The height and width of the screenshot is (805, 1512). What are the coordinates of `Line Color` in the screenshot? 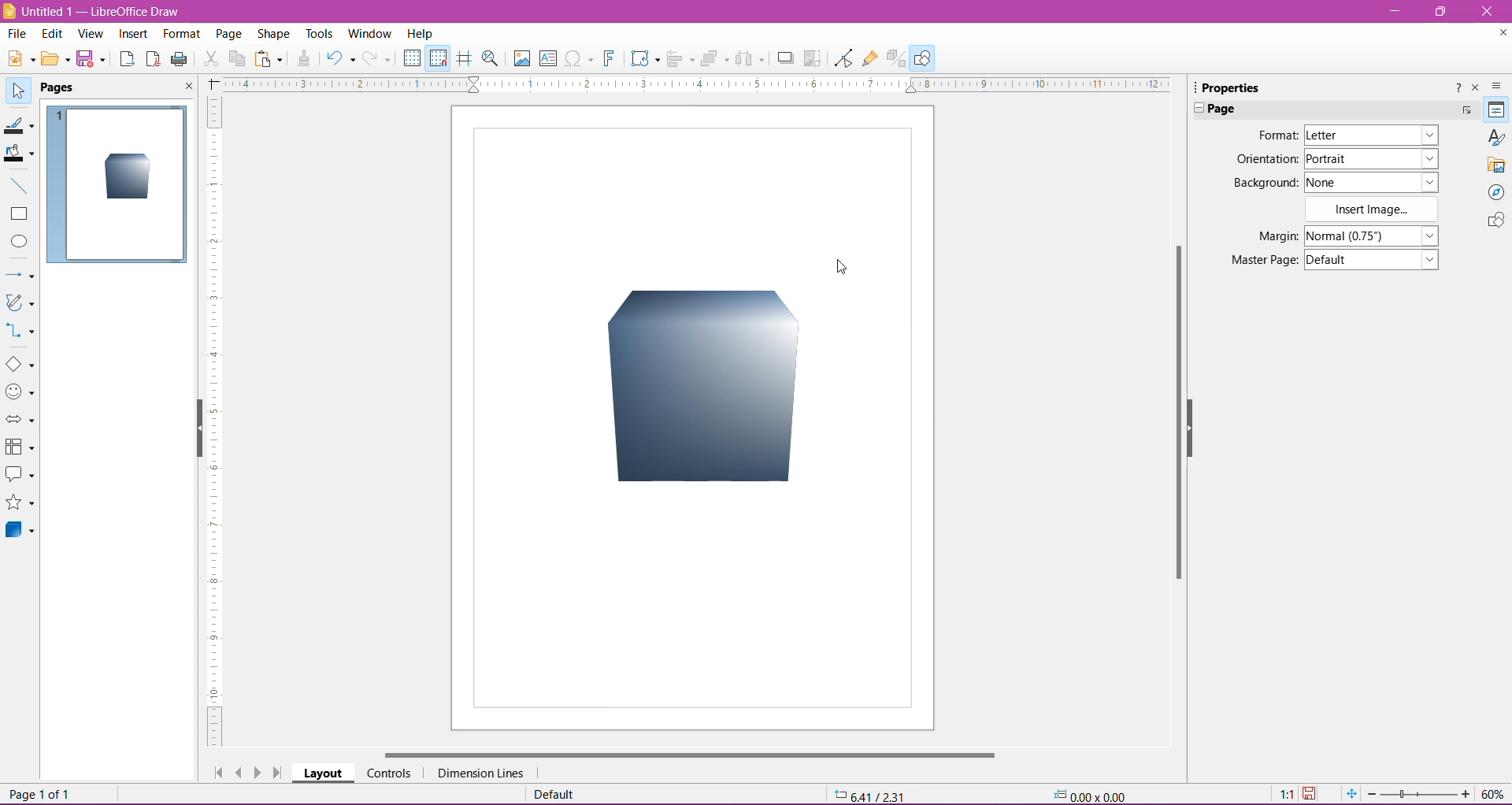 It's located at (19, 124).